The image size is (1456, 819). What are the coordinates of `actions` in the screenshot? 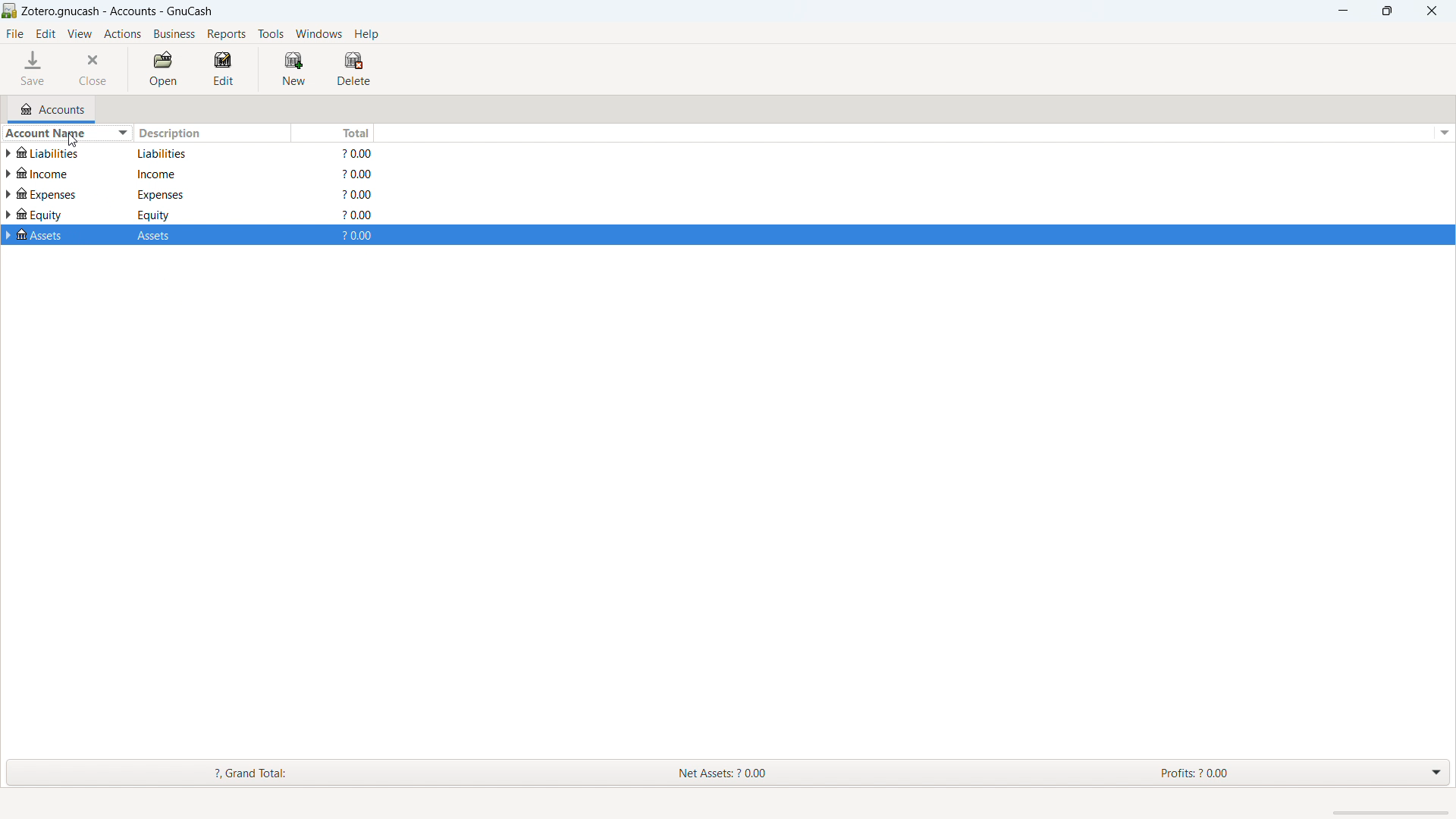 It's located at (123, 33).